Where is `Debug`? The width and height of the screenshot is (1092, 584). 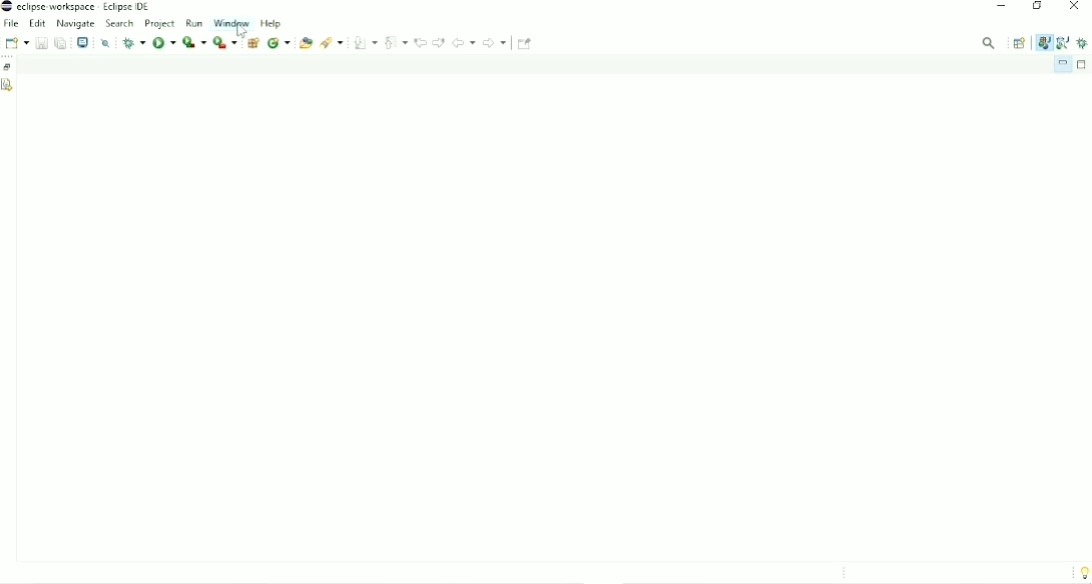
Debug is located at coordinates (133, 42).